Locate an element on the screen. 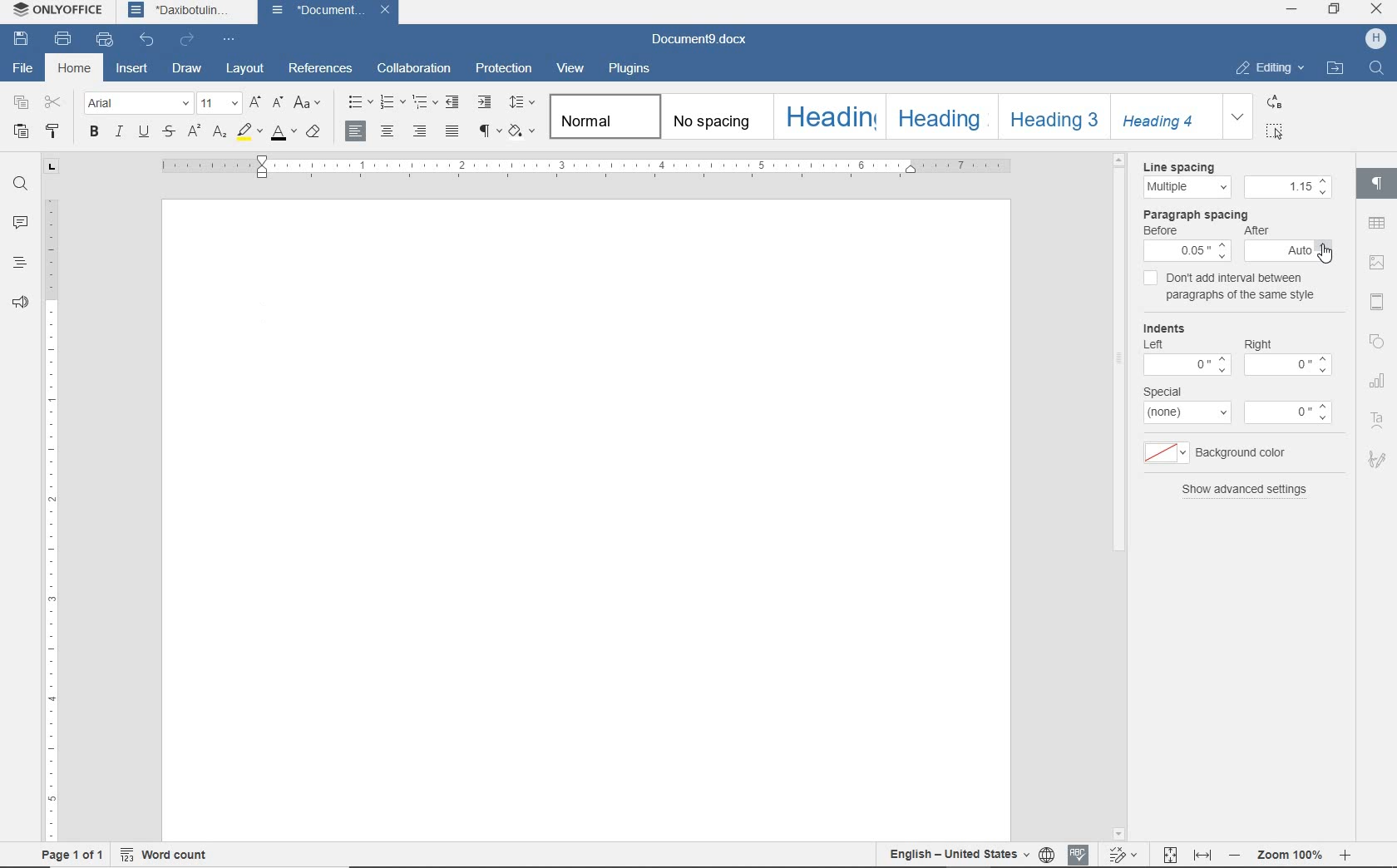  layout is located at coordinates (247, 70).